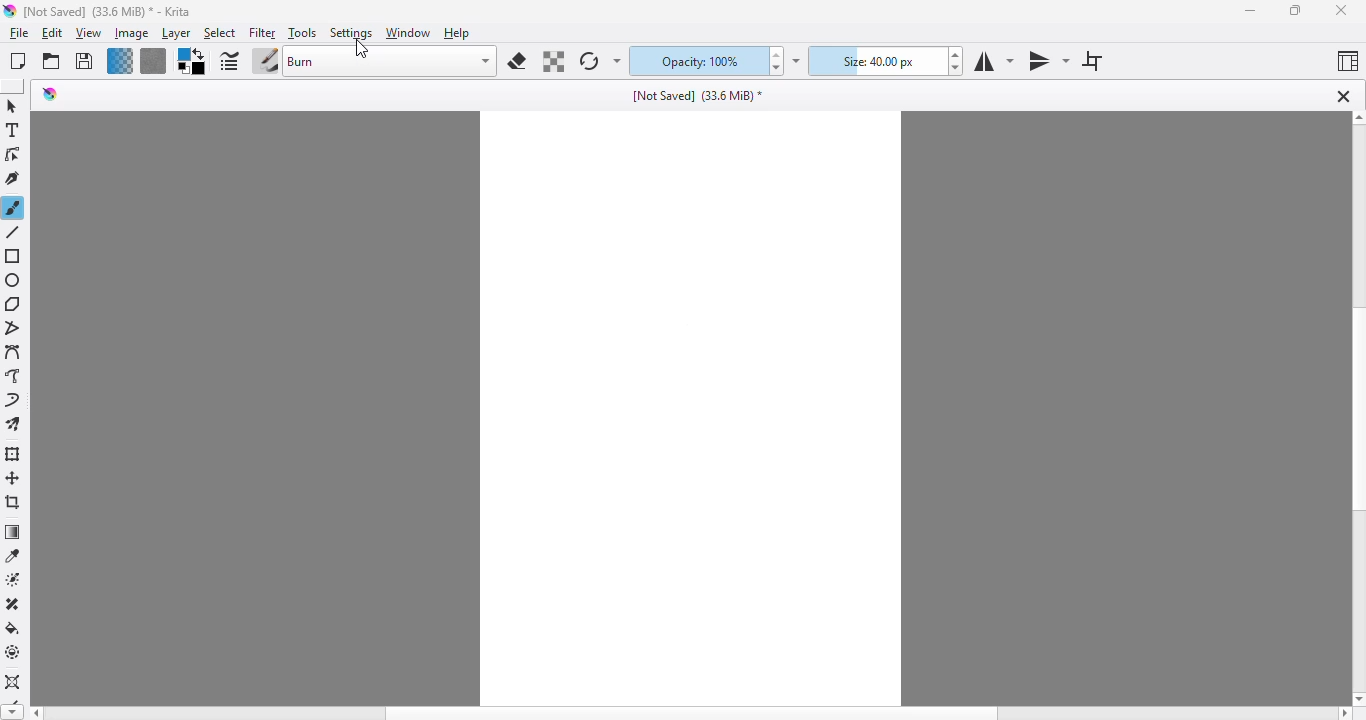  I want to click on create new document, so click(17, 61).